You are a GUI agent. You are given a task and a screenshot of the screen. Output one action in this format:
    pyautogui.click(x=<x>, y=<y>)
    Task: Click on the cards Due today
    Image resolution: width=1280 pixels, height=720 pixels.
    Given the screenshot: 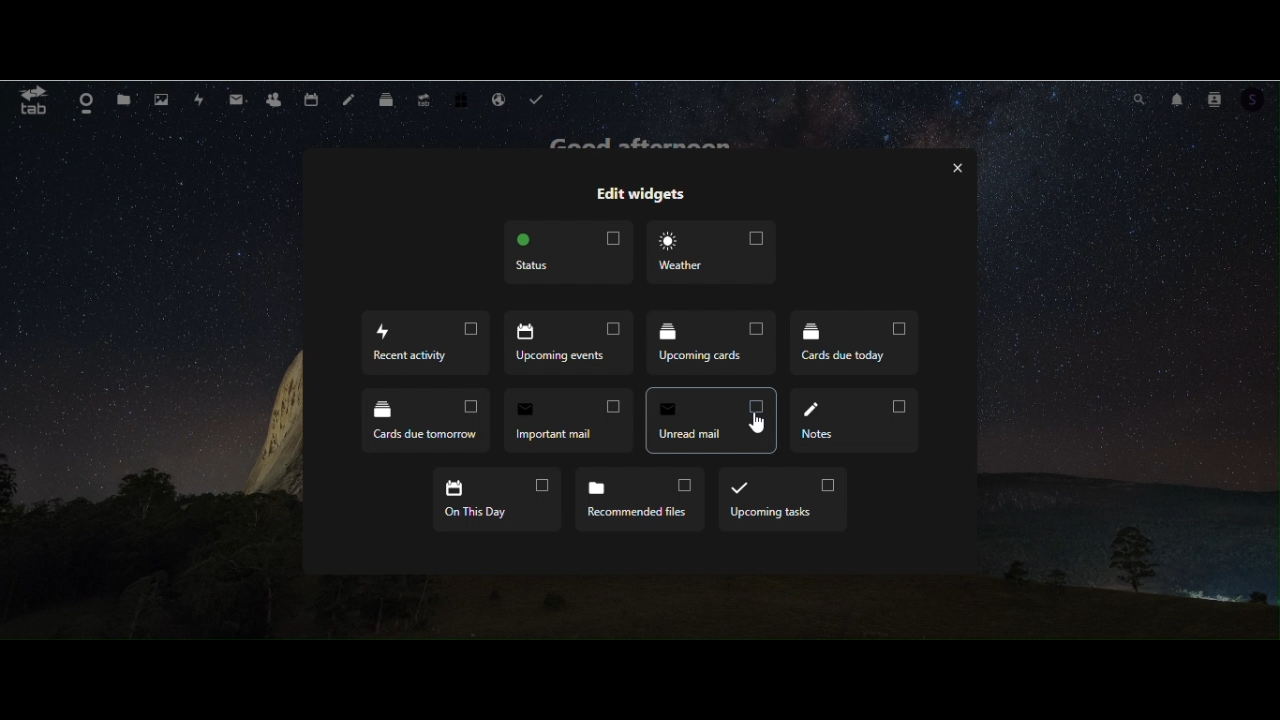 What is the action you would take?
    pyautogui.click(x=853, y=344)
    